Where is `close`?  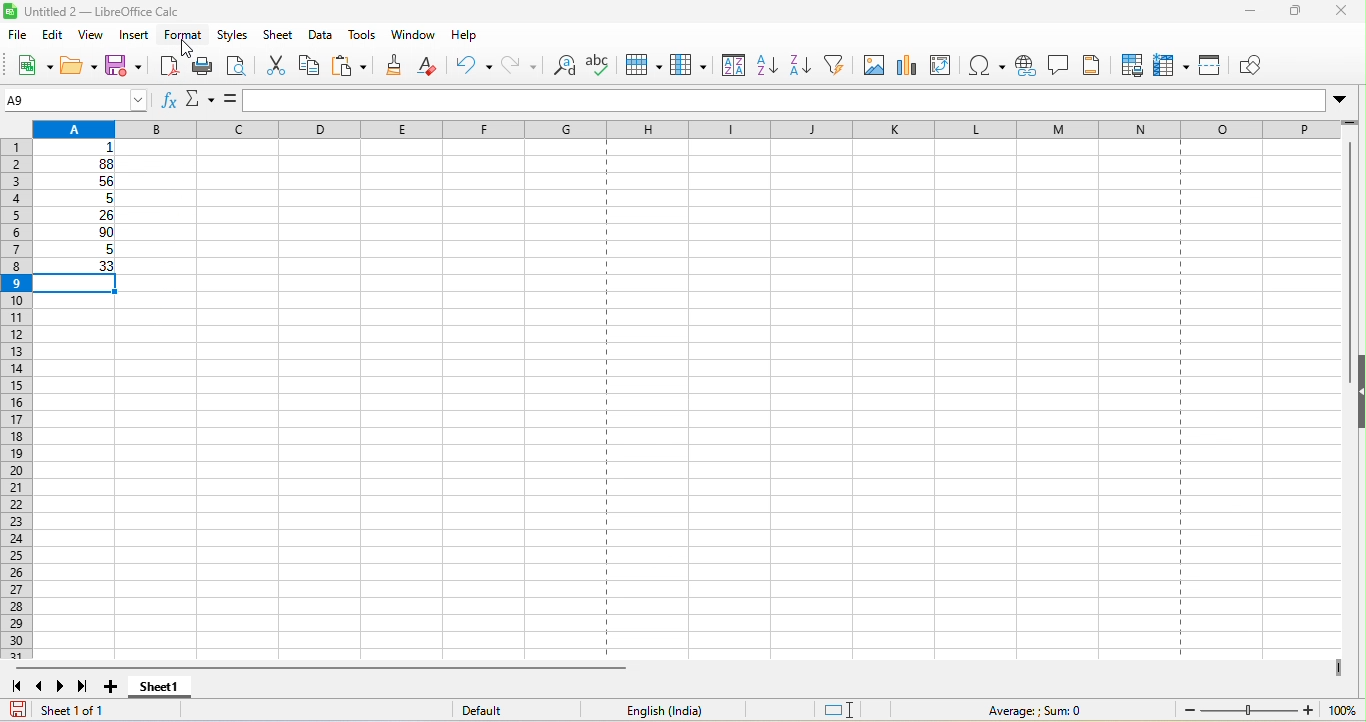 close is located at coordinates (1342, 13).